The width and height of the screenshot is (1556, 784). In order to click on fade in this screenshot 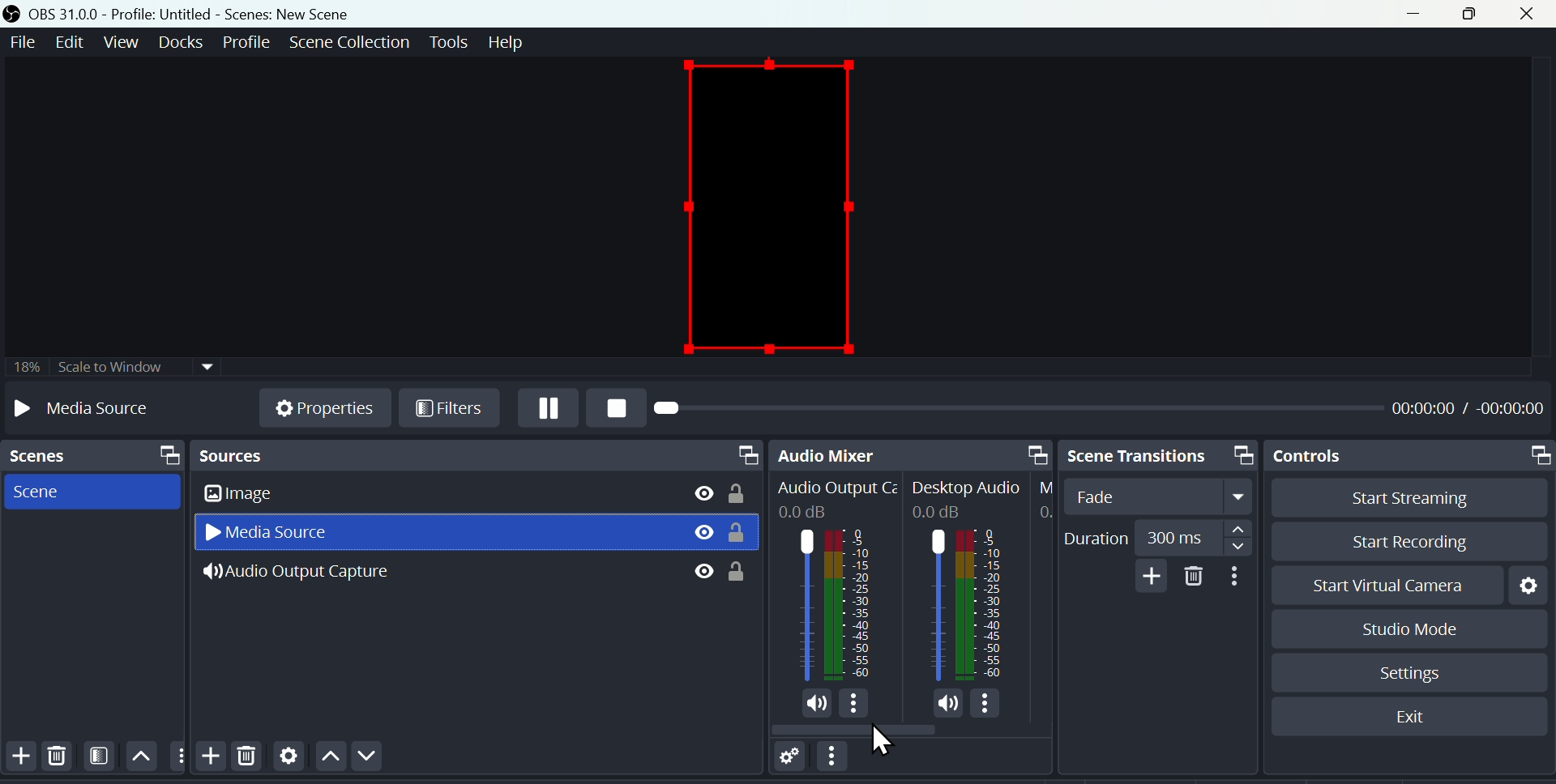, I will do `click(1162, 496)`.